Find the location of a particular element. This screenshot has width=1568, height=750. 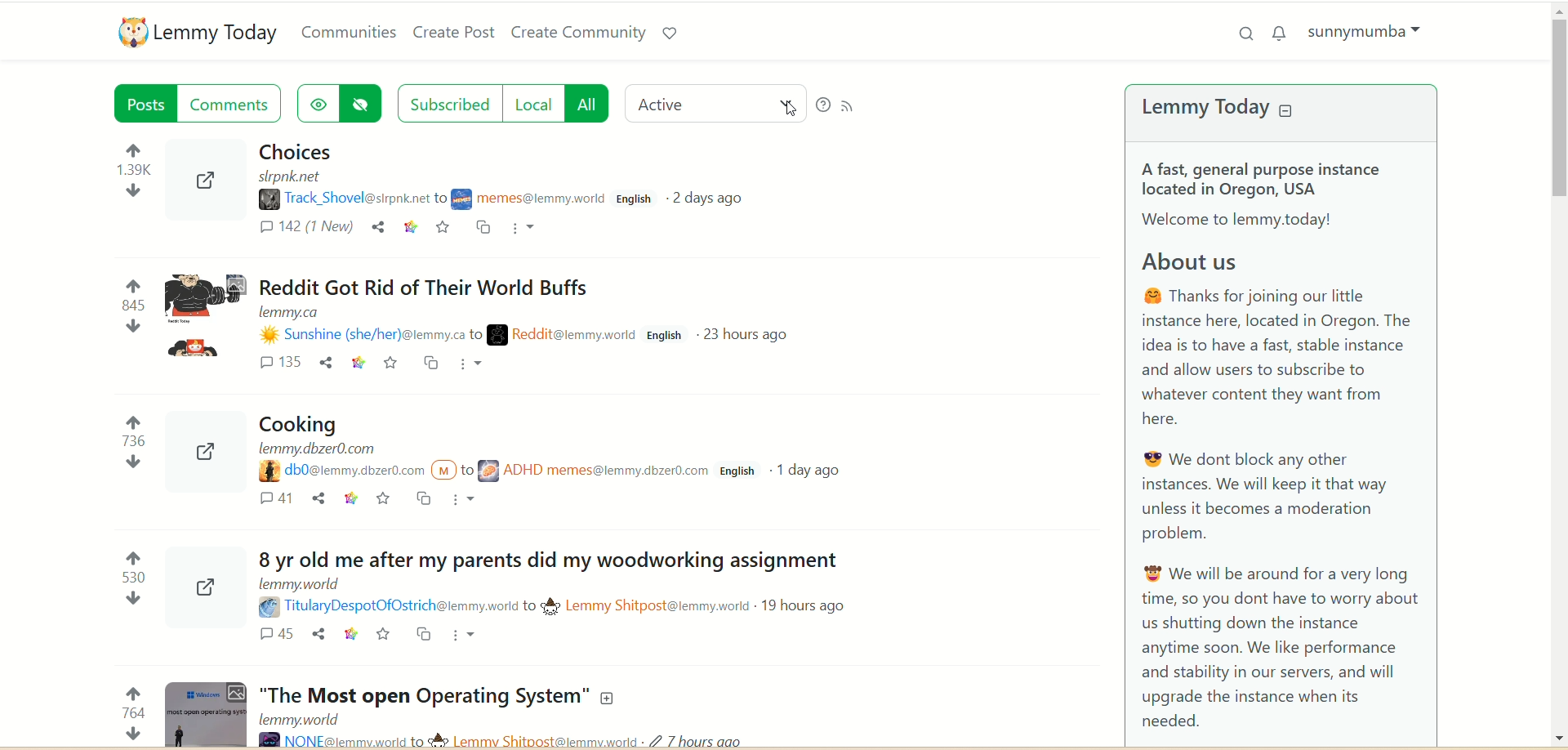

2 days ago (post date) is located at coordinates (716, 199).